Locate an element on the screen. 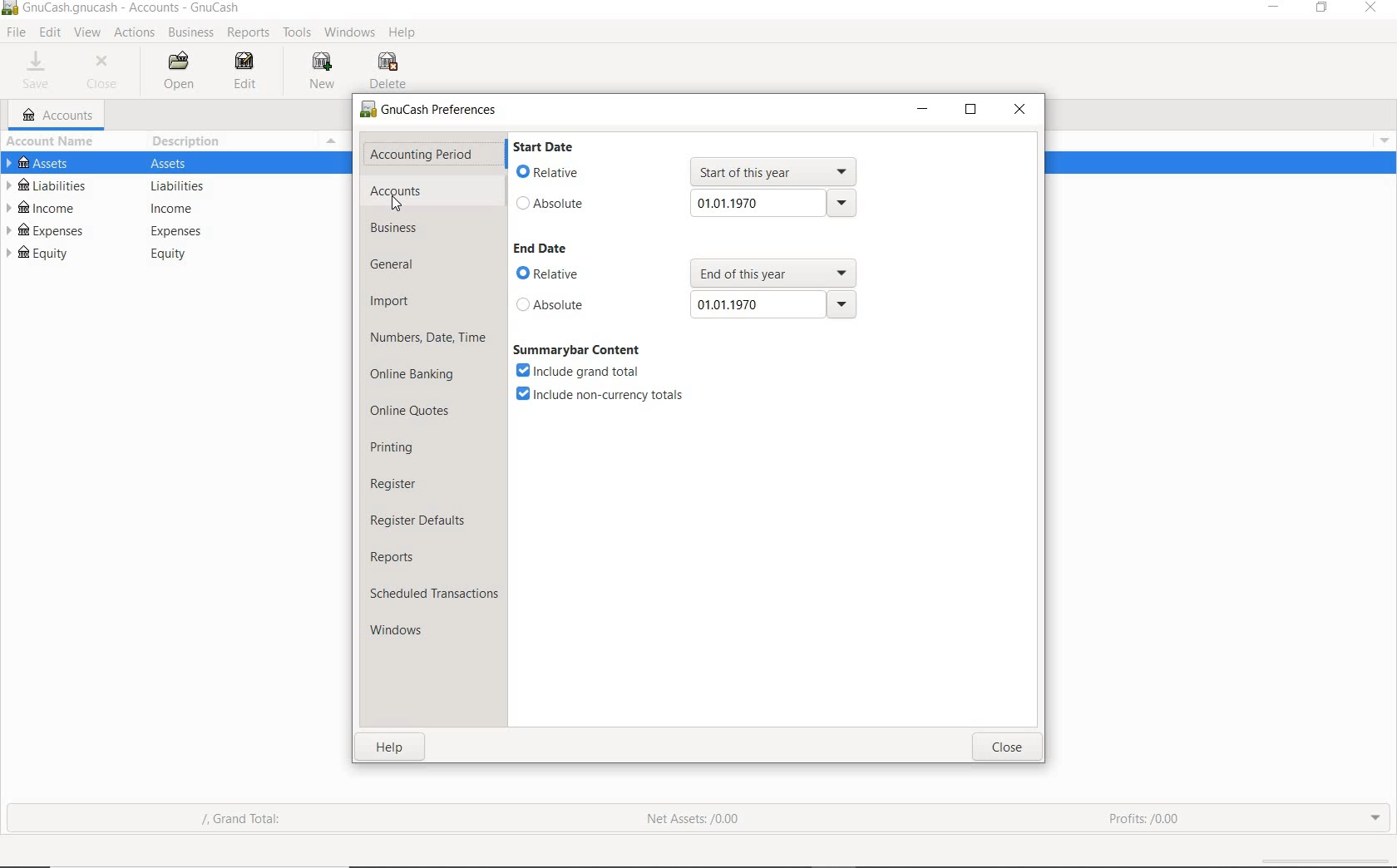 This screenshot has height=868, width=1397. EXPENSES is located at coordinates (47, 230).